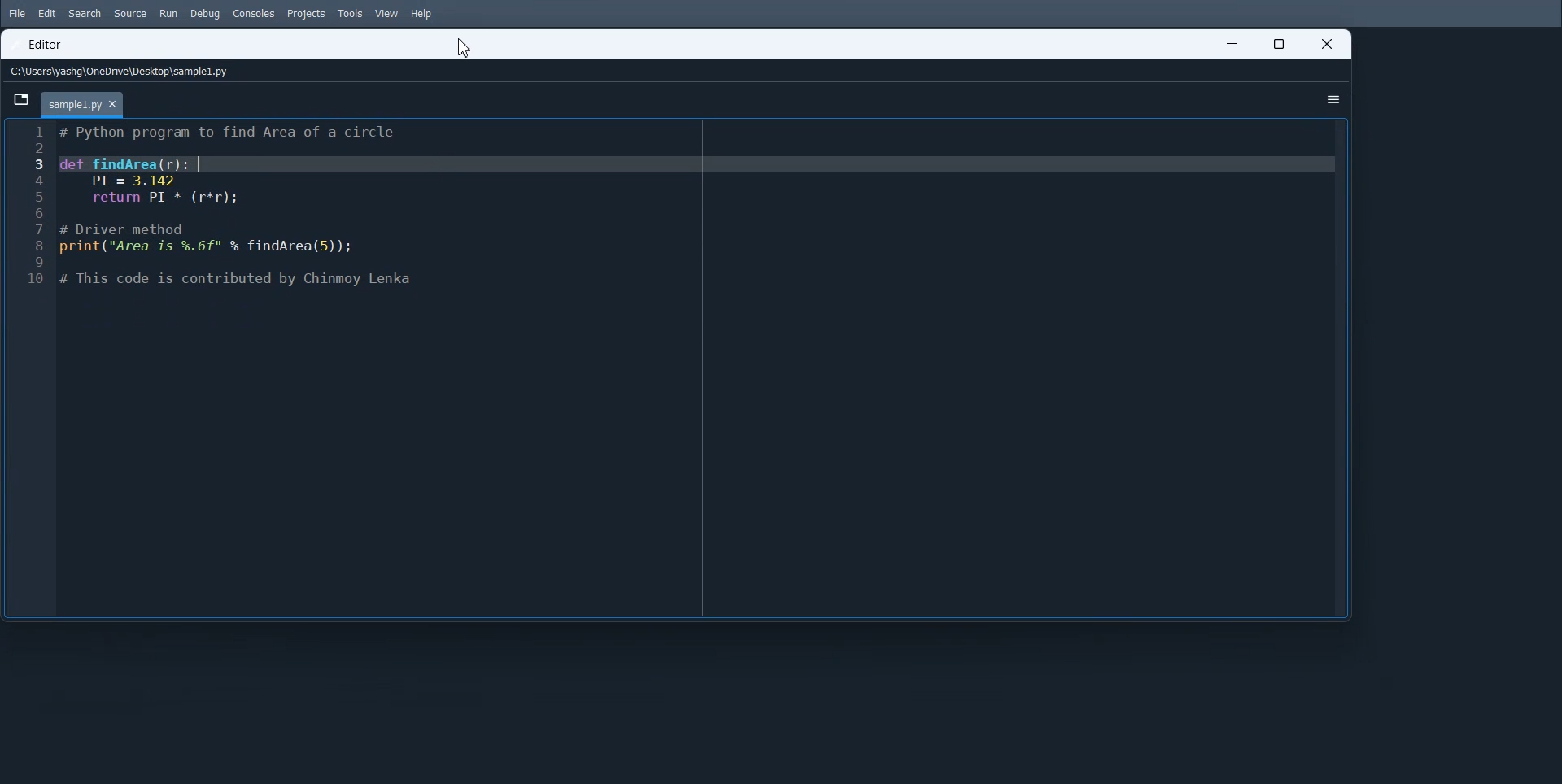 The image size is (1562, 784). I want to click on Tools, so click(351, 13).